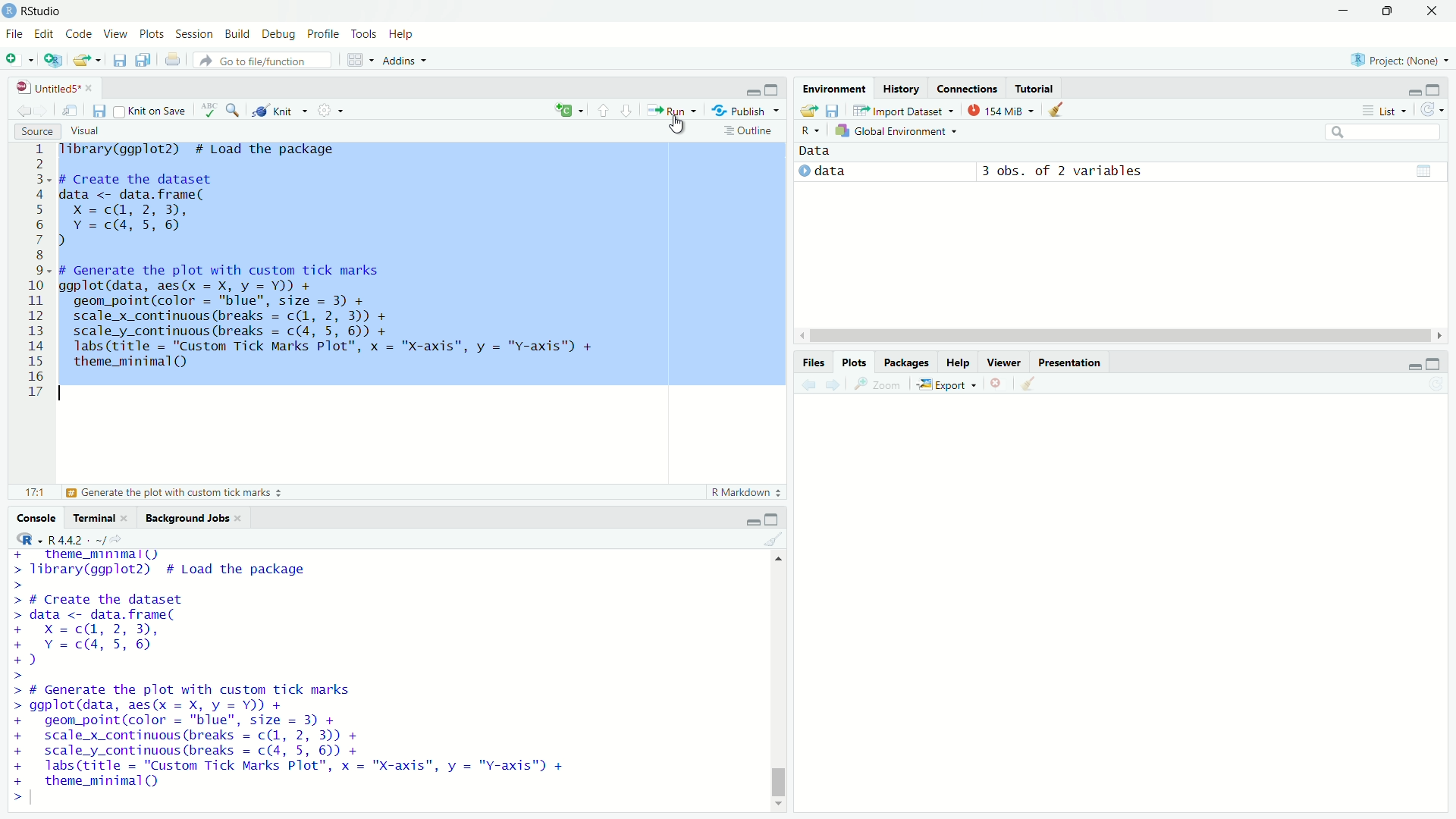  Describe the element at coordinates (812, 361) in the screenshot. I see `files` at that location.